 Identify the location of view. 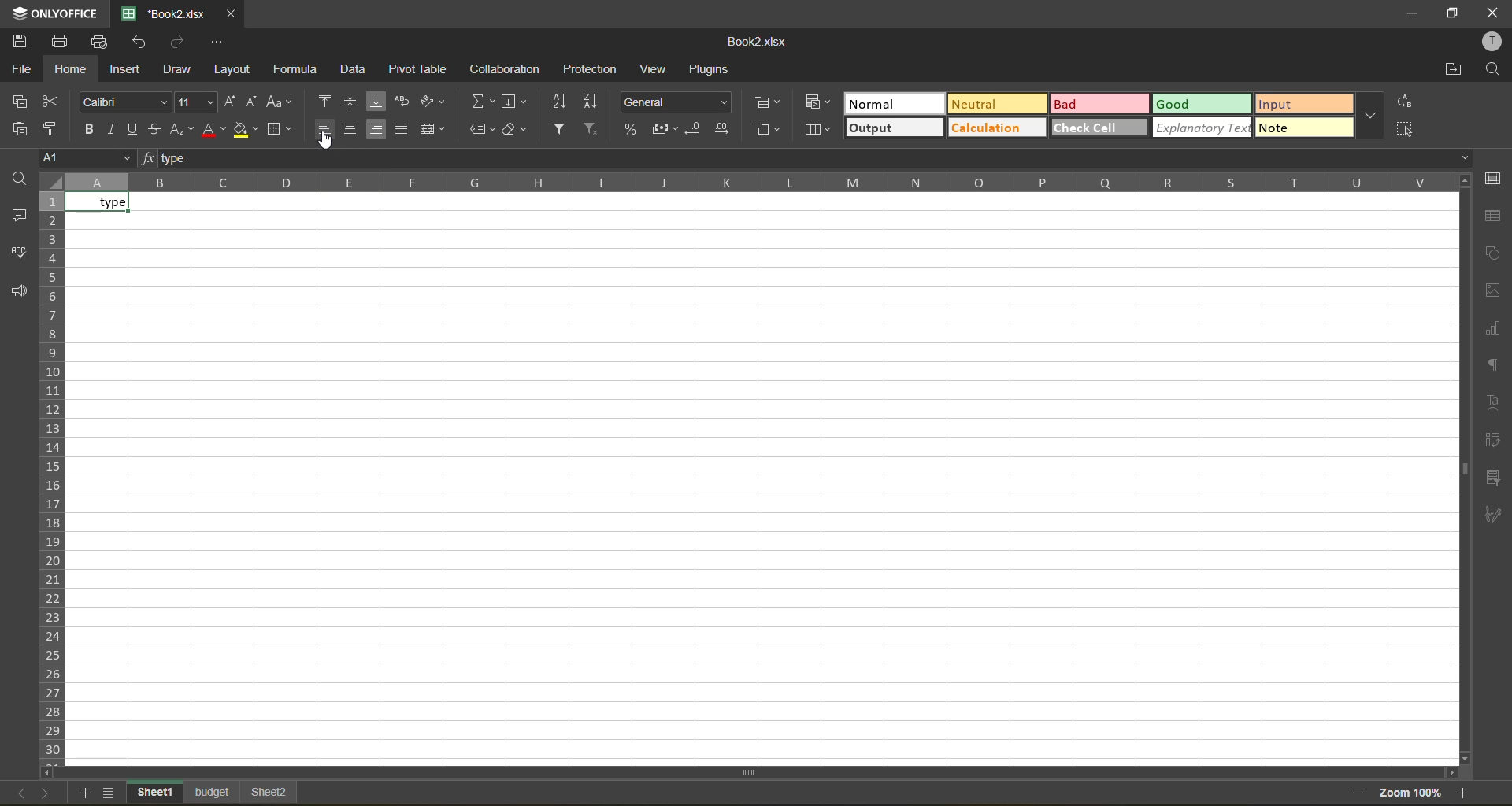
(654, 69).